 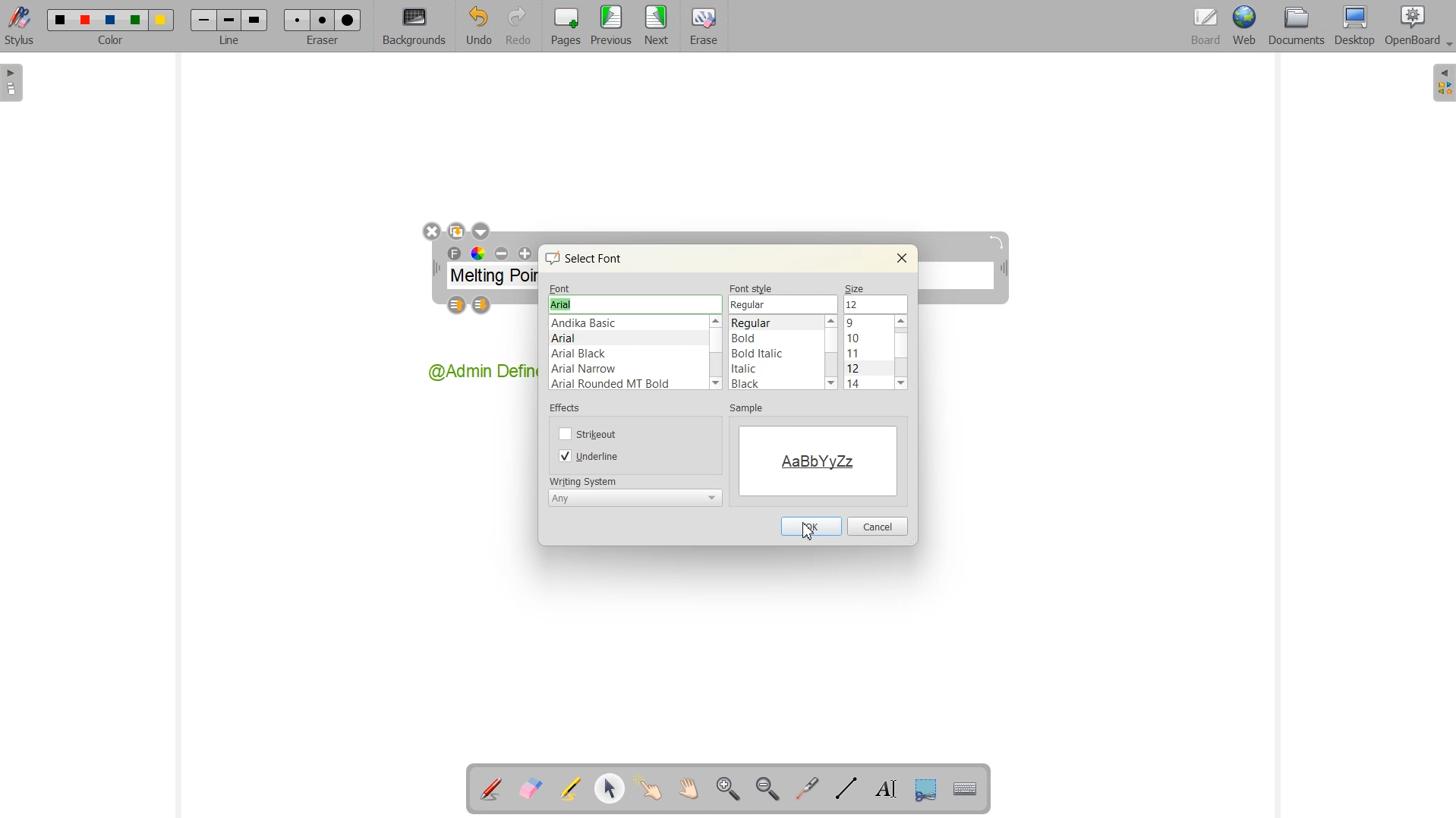 I want to click on Ok, so click(x=810, y=526).